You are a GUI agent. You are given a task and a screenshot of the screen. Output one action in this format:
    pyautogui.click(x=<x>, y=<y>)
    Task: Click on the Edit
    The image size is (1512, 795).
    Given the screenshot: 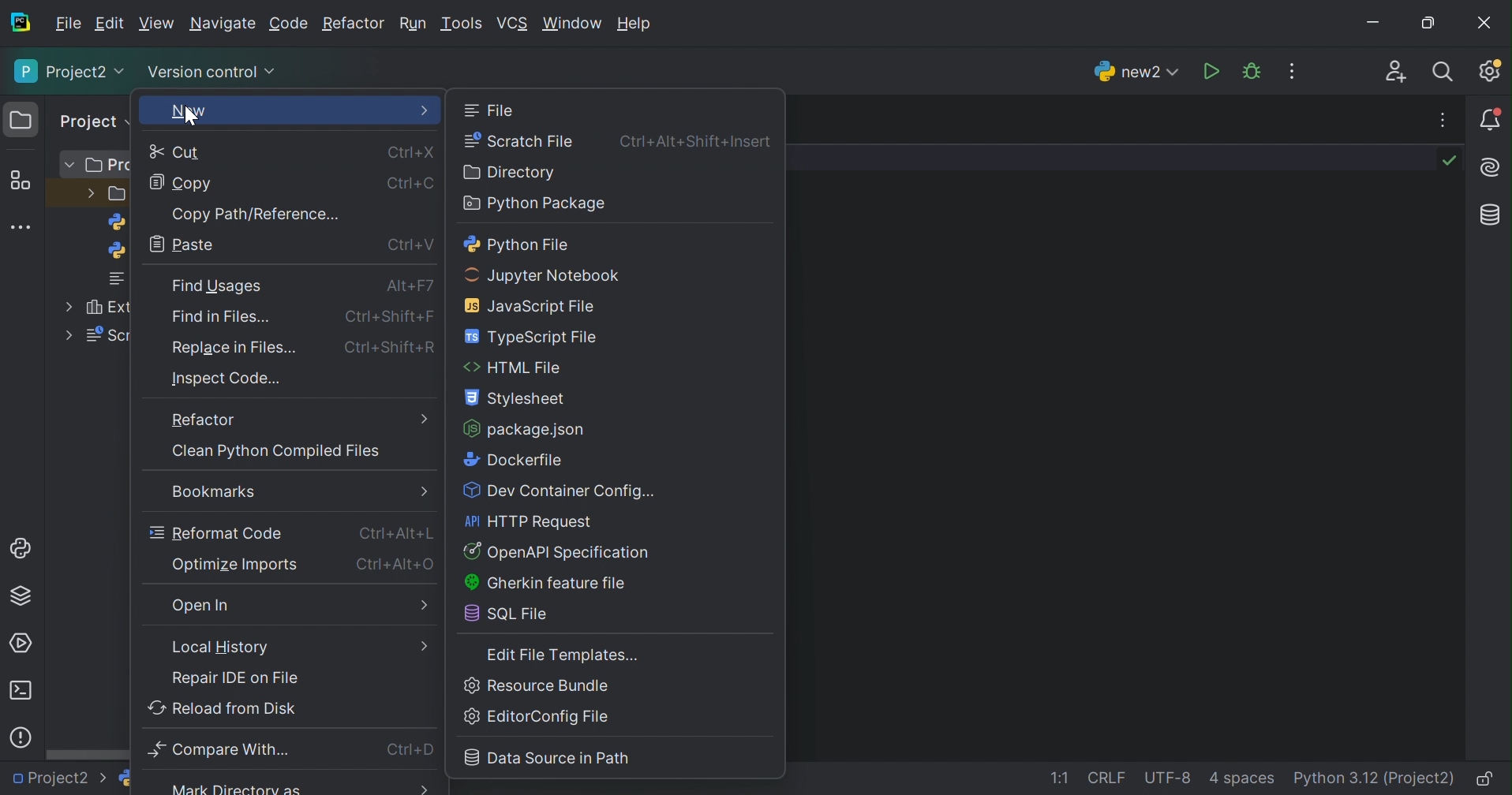 What is the action you would take?
    pyautogui.click(x=110, y=24)
    